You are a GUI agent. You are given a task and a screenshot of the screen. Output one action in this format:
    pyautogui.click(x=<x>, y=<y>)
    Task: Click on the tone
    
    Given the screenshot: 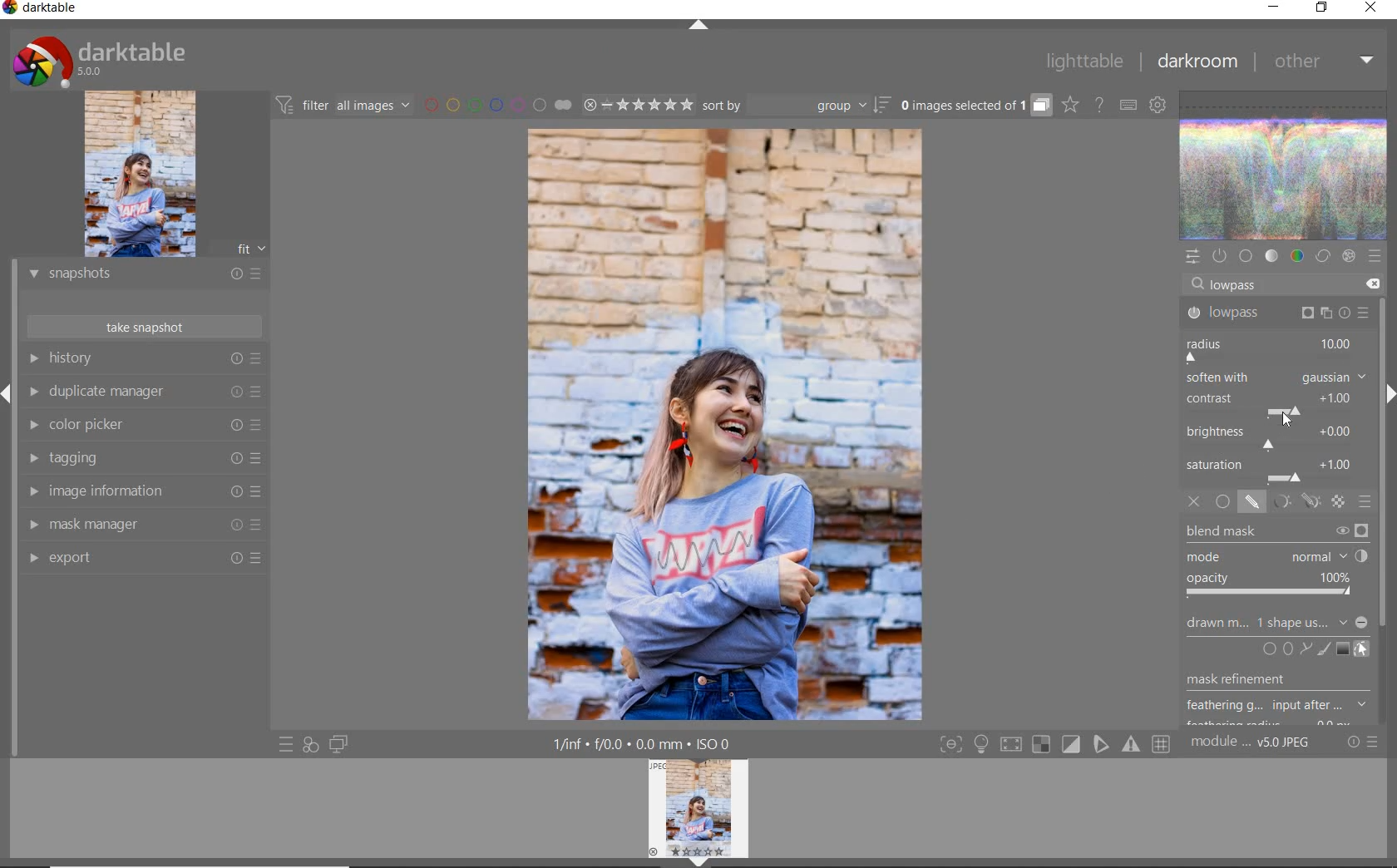 What is the action you would take?
    pyautogui.click(x=1272, y=257)
    